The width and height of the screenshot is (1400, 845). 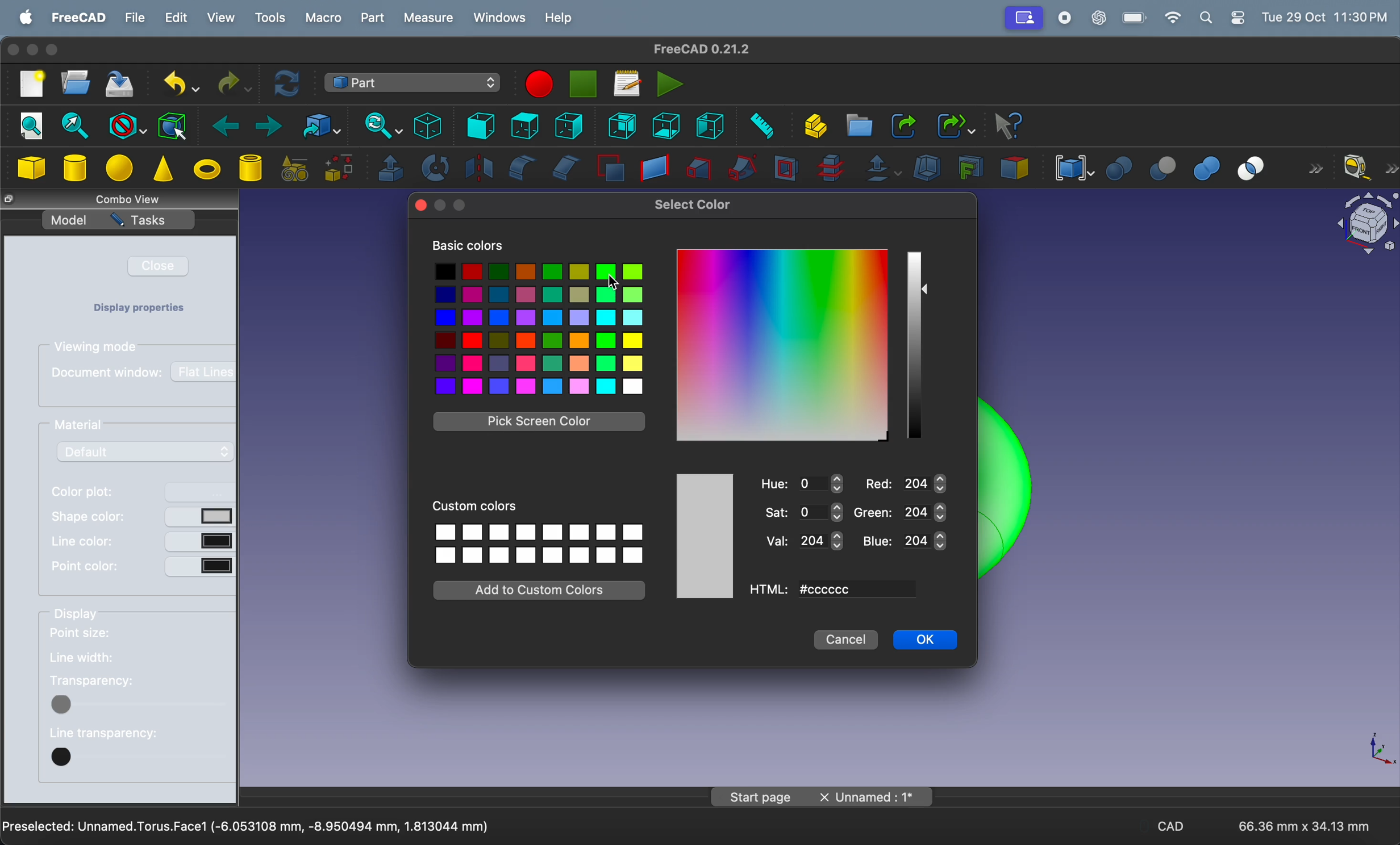 I want to click on marco, so click(x=323, y=16).